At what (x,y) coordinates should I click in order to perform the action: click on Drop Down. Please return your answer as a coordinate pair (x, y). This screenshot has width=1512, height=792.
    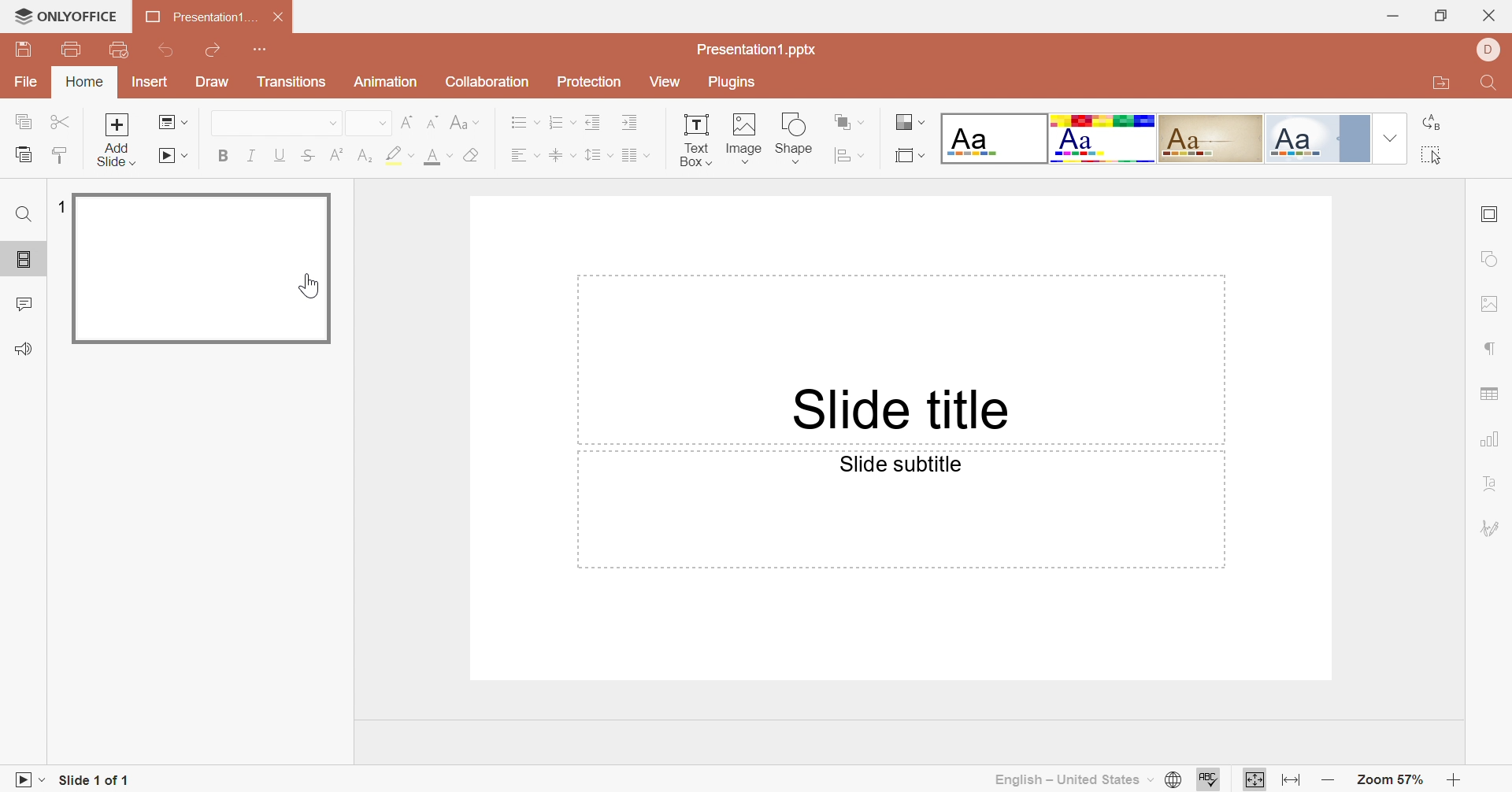
    Looking at the image, I should click on (413, 156).